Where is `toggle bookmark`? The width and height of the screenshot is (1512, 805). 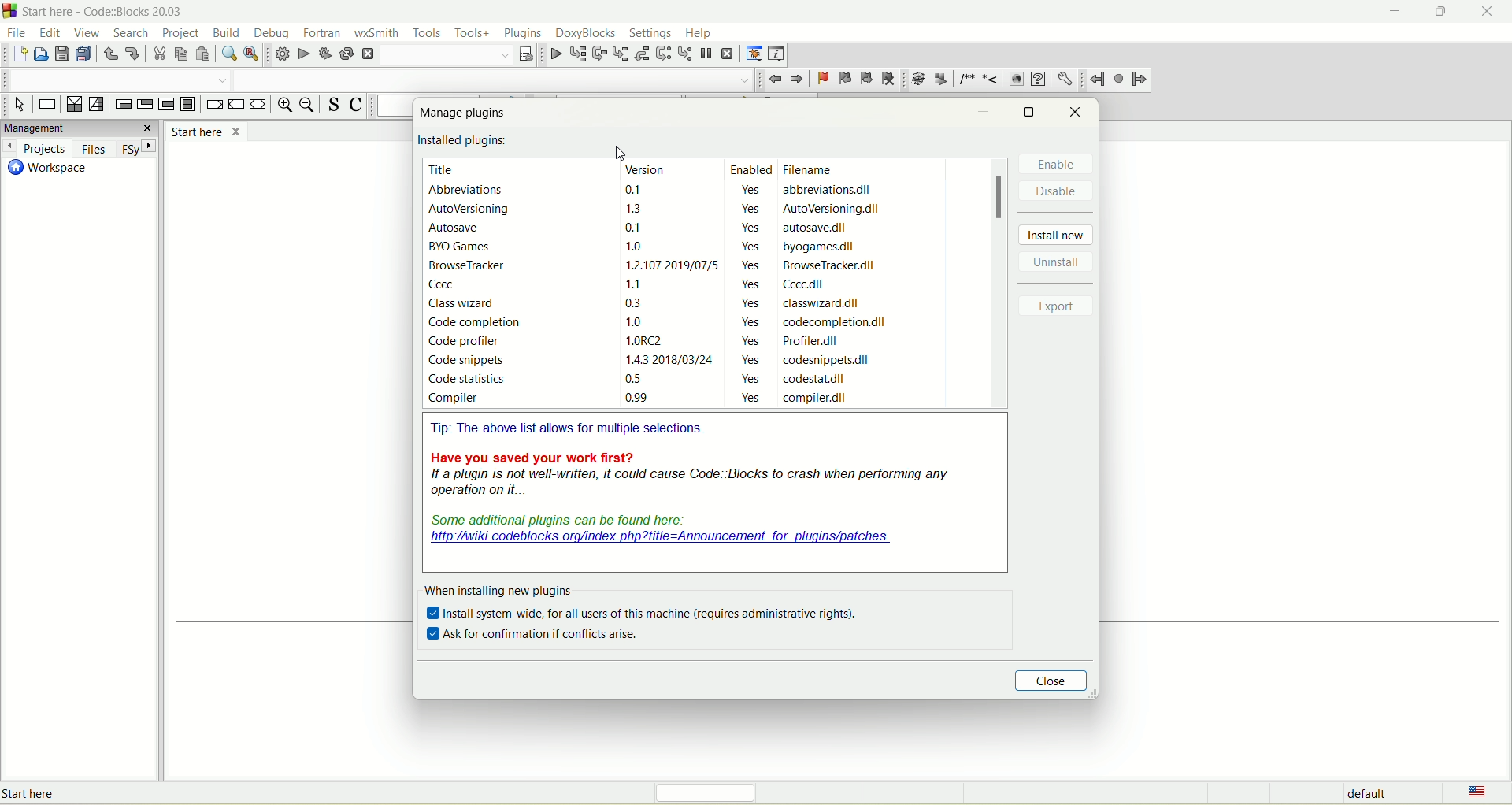 toggle bookmark is located at coordinates (822, 79).